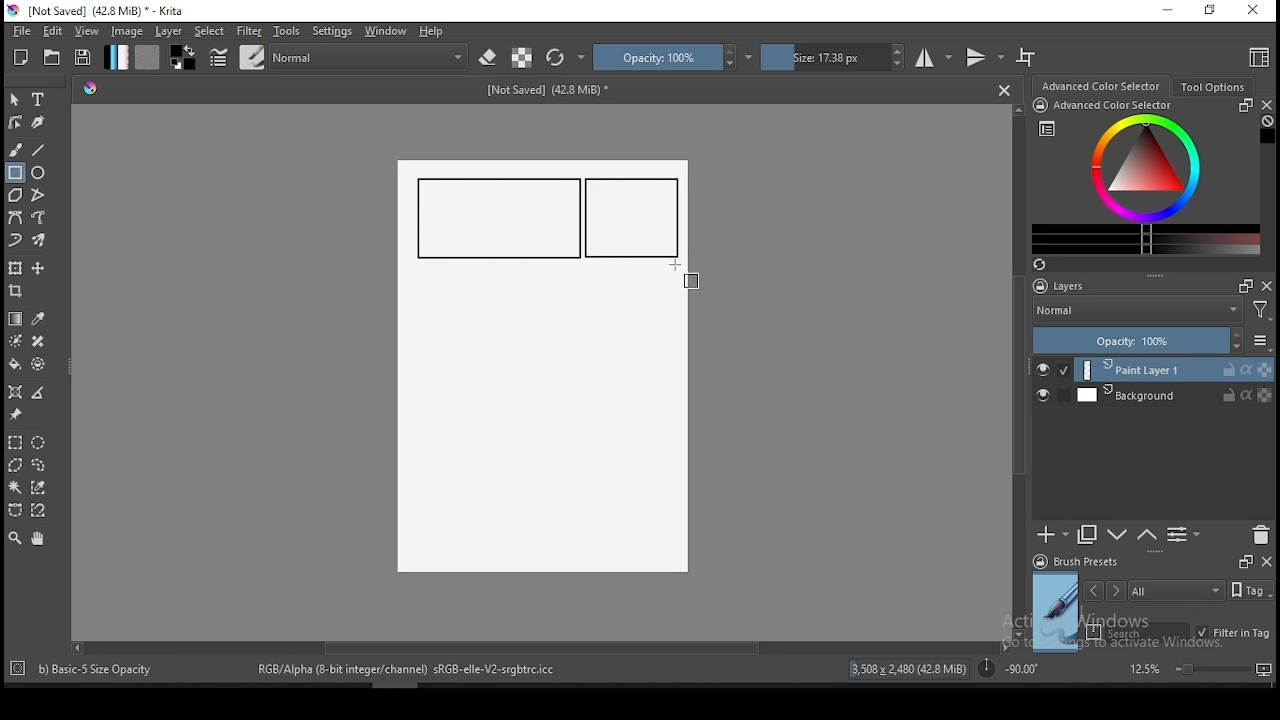 Image resolution: width=1280 pixels, height=720 pixels. Describe the element at coordinates (15, 364) in the screenshot. I see `paint bucket tool` at that location.